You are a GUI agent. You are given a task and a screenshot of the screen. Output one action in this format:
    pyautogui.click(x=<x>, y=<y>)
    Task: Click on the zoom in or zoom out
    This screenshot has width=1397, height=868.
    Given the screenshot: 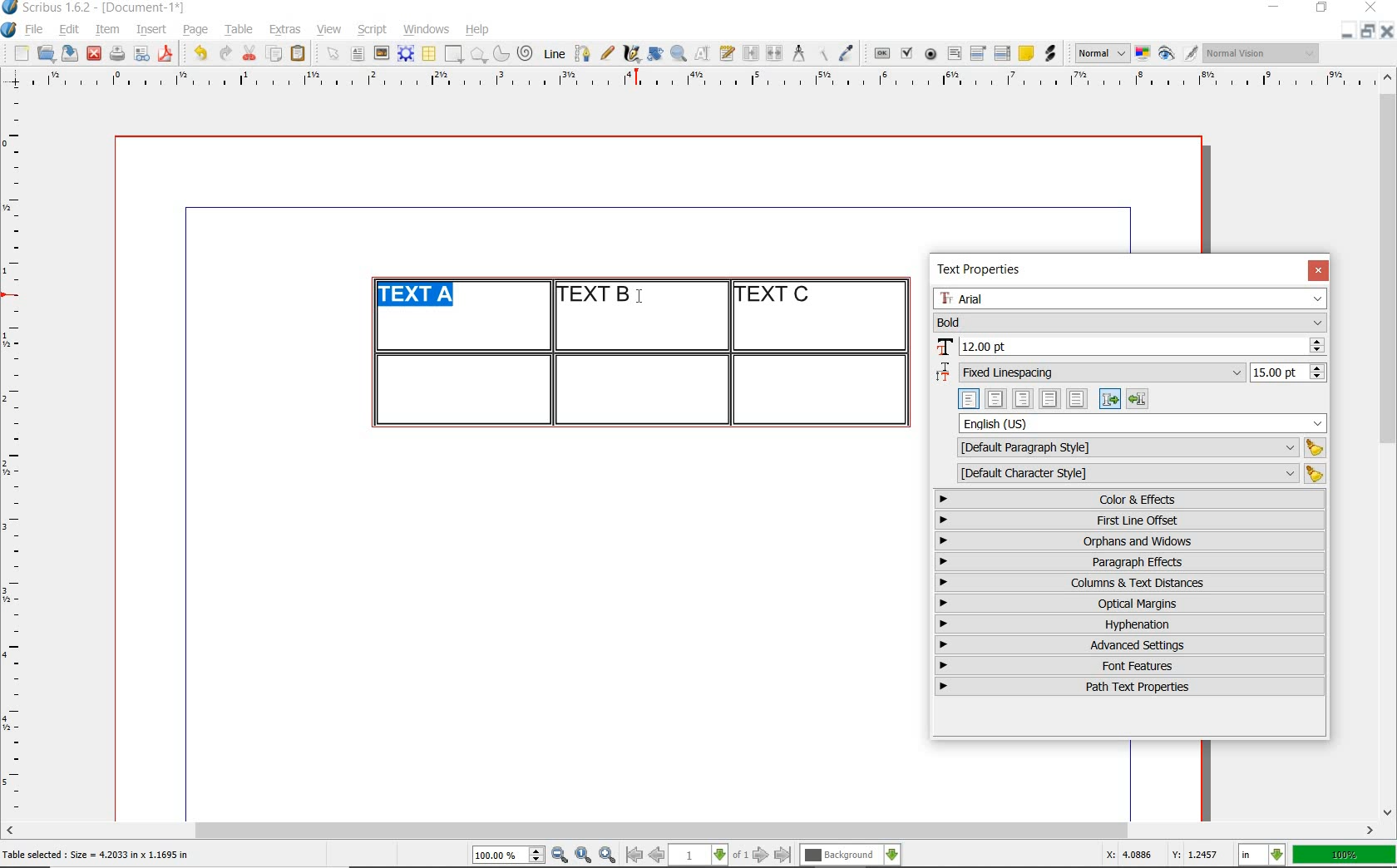 What is the action you would take?
    pyautogui.click(x=679, y=53)
    